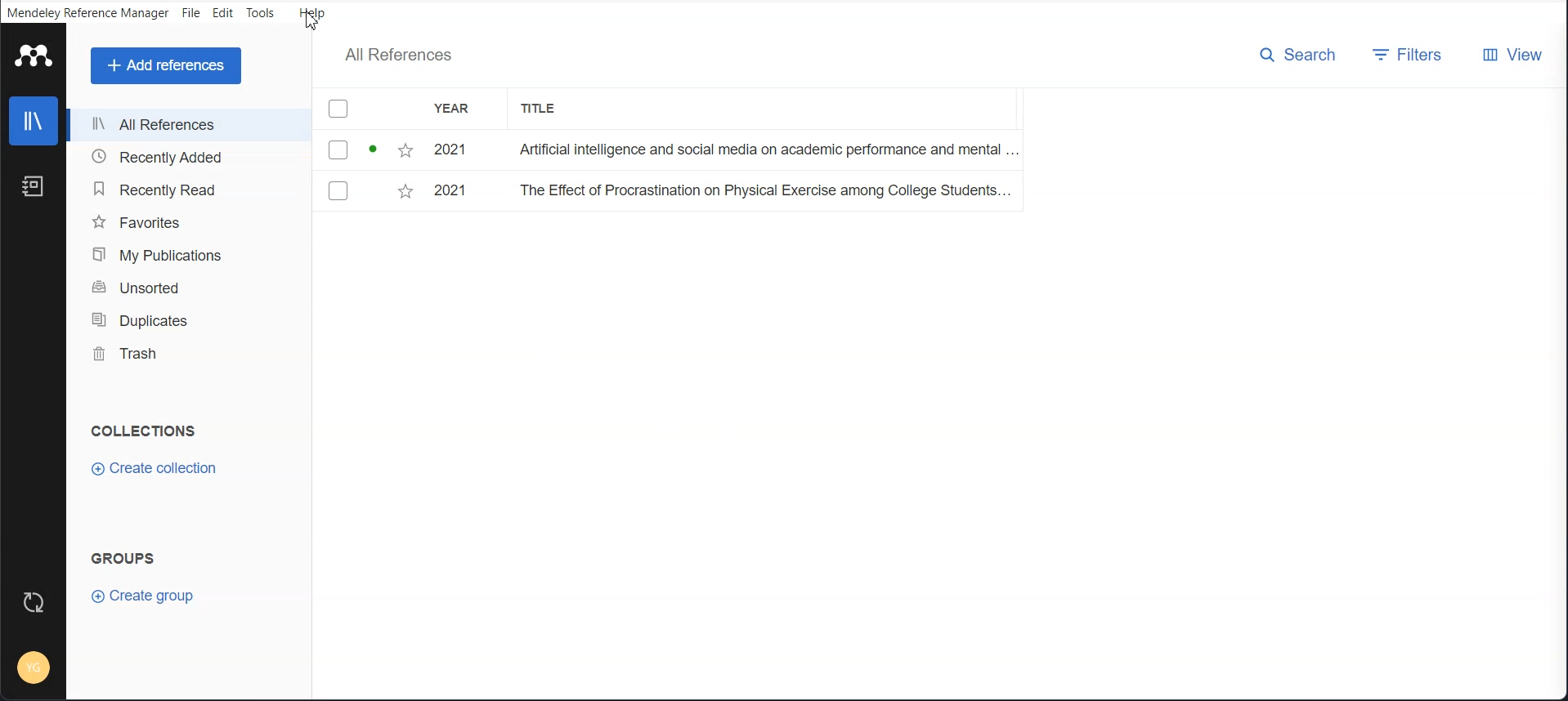  I want to click on Recently Read, so click(182, 189).